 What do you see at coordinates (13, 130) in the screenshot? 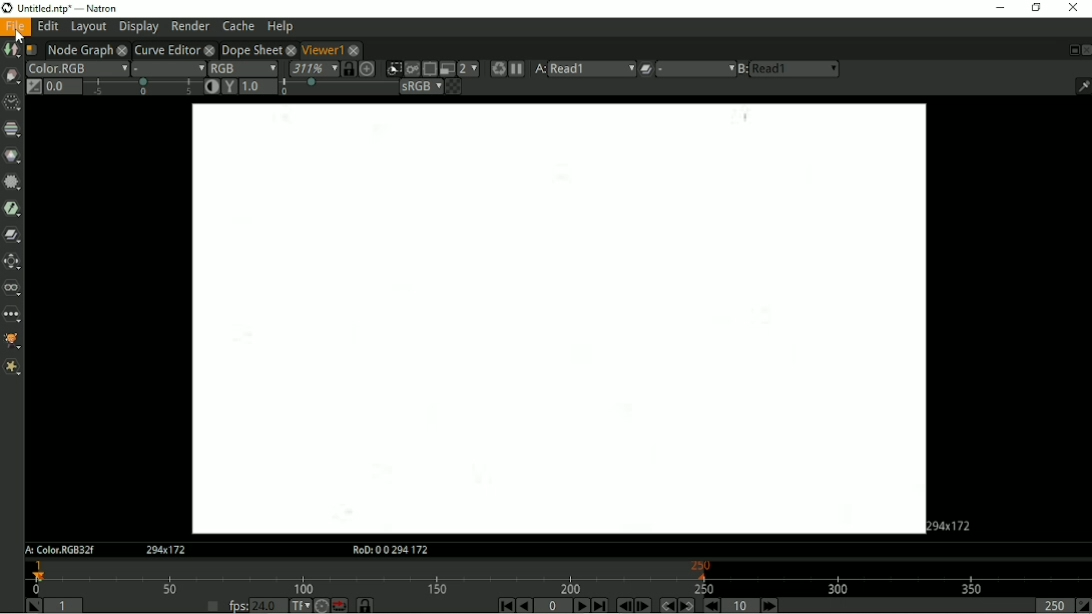
I see `Channel` at bounding box center [13, 130].